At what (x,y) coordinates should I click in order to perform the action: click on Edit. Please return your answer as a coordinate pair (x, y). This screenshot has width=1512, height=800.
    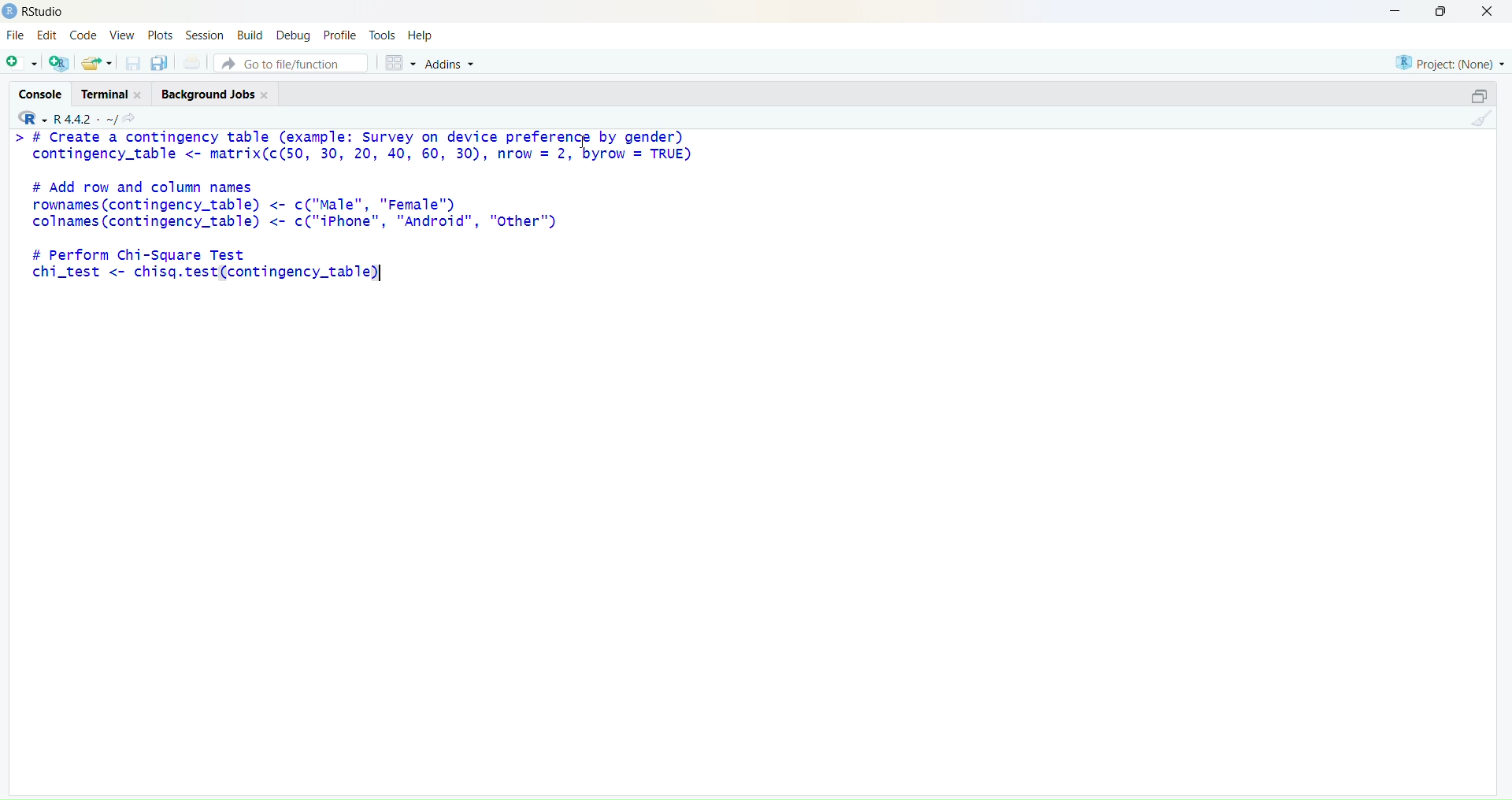
    Looking at the image, I should click on (47, 35).